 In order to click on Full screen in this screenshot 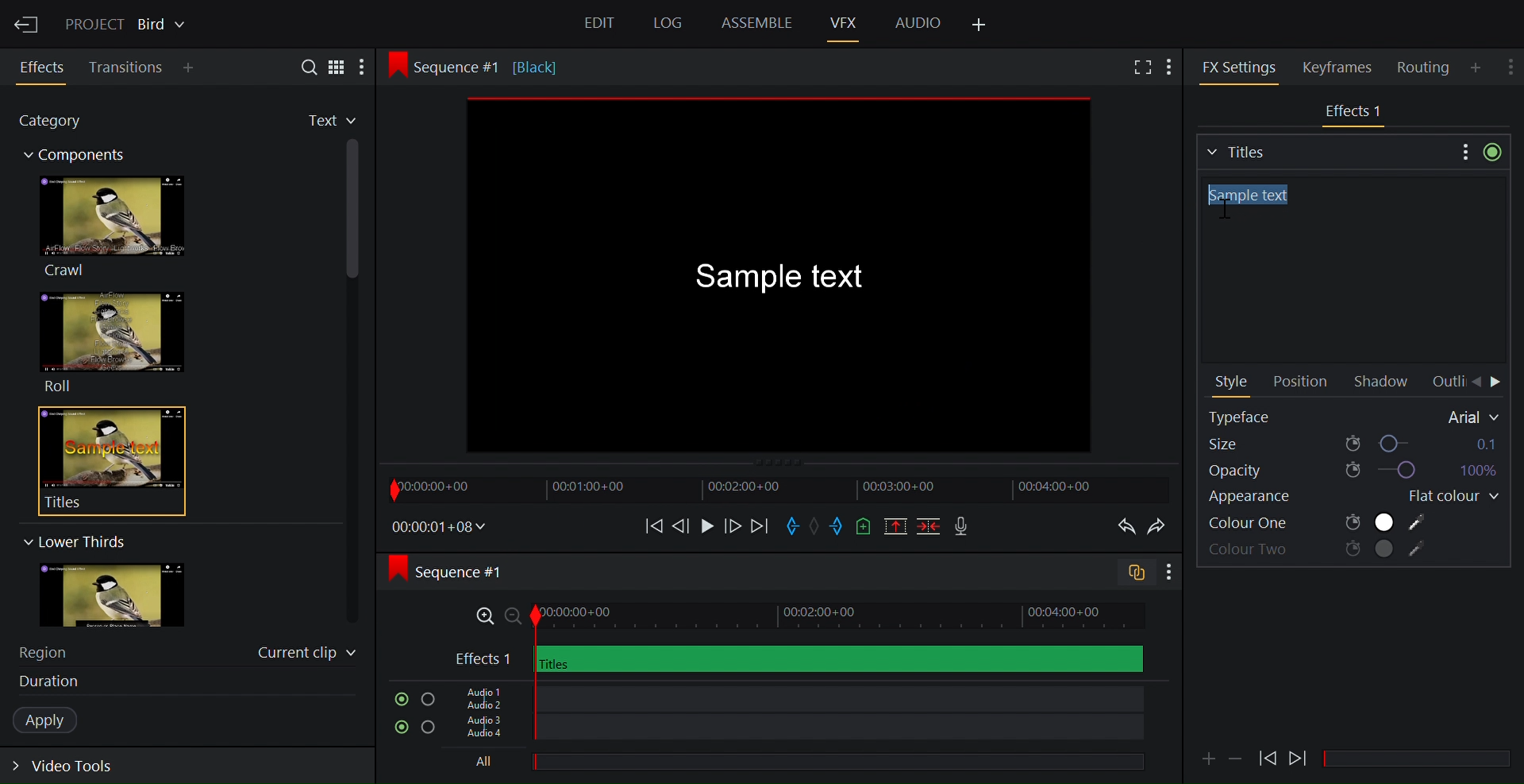, I will do `click(1140, 68)`.